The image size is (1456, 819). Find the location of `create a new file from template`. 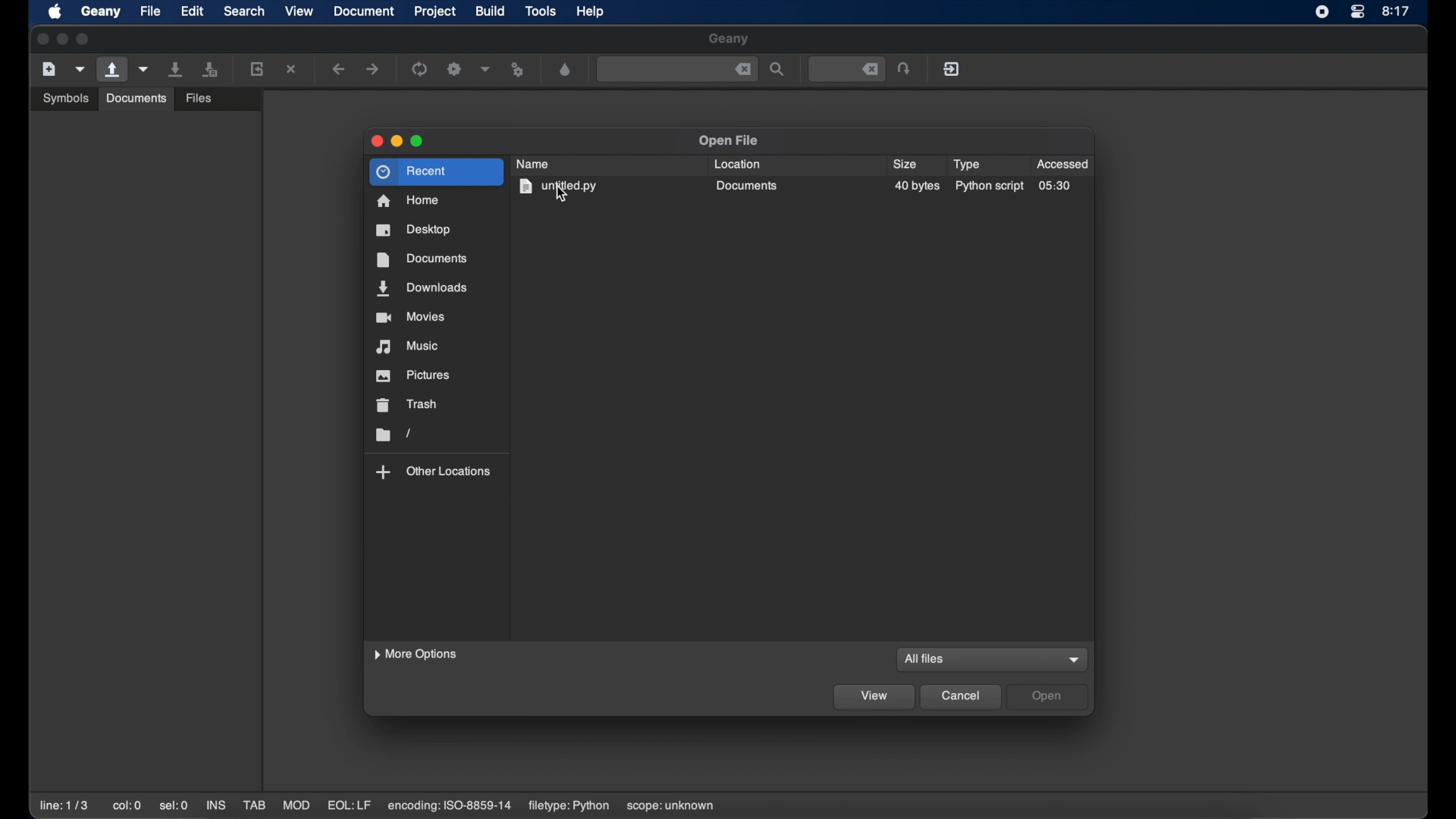

create a new file from template is located at coordinates (80, 70).